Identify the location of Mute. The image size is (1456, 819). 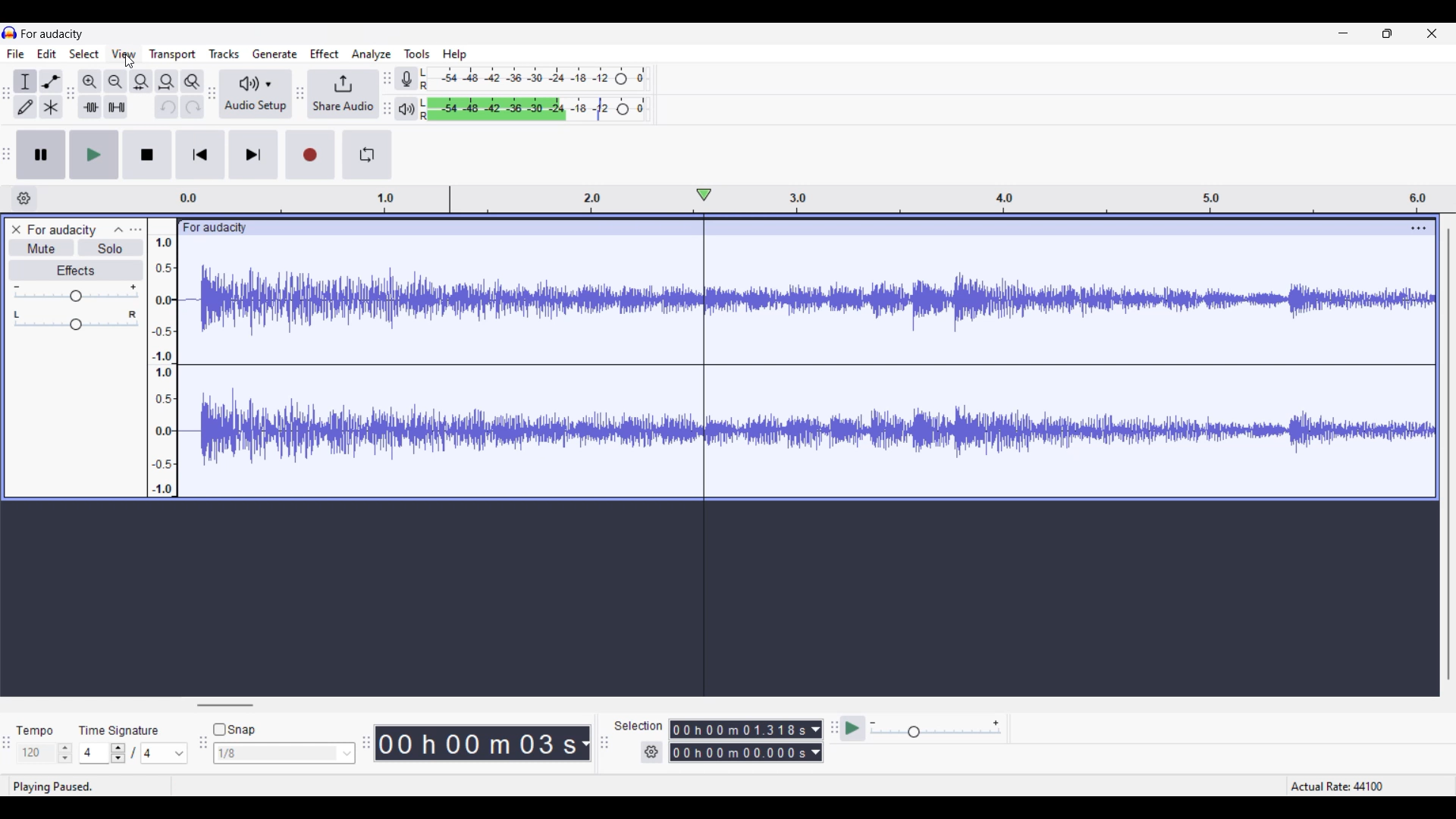
(42, 248).